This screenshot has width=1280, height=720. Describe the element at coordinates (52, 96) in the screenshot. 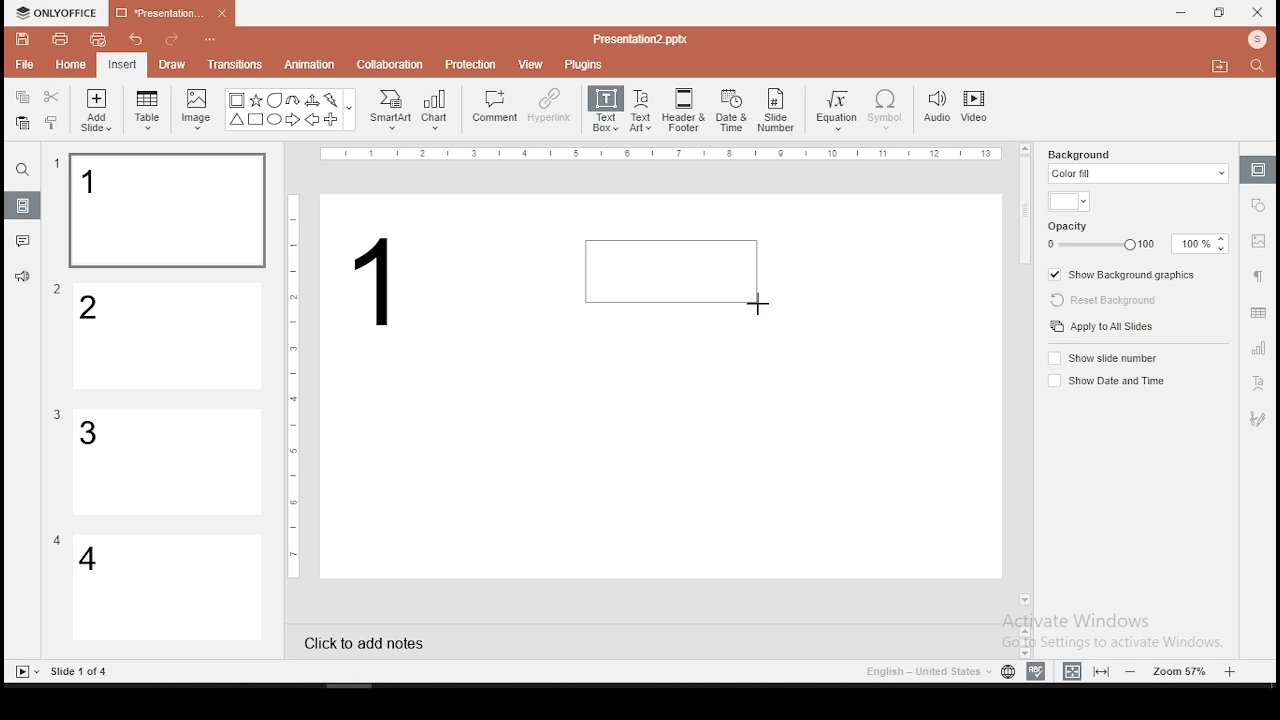

I see `cut` at that location.